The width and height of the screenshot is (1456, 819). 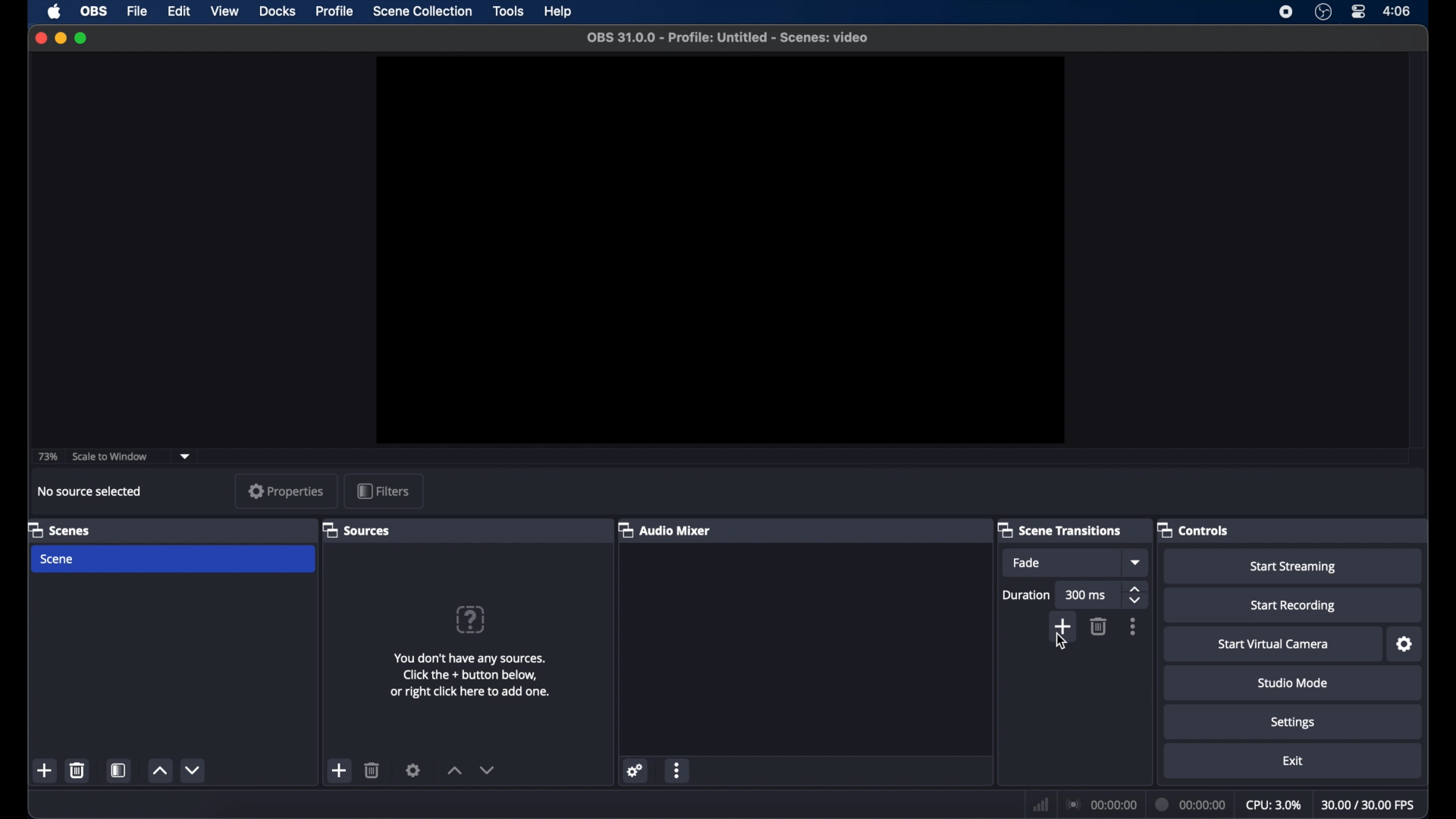 What do you see at coordinates (55, 11) in the screenshot?
I see `apple icon` at bounding box center [55, 11].